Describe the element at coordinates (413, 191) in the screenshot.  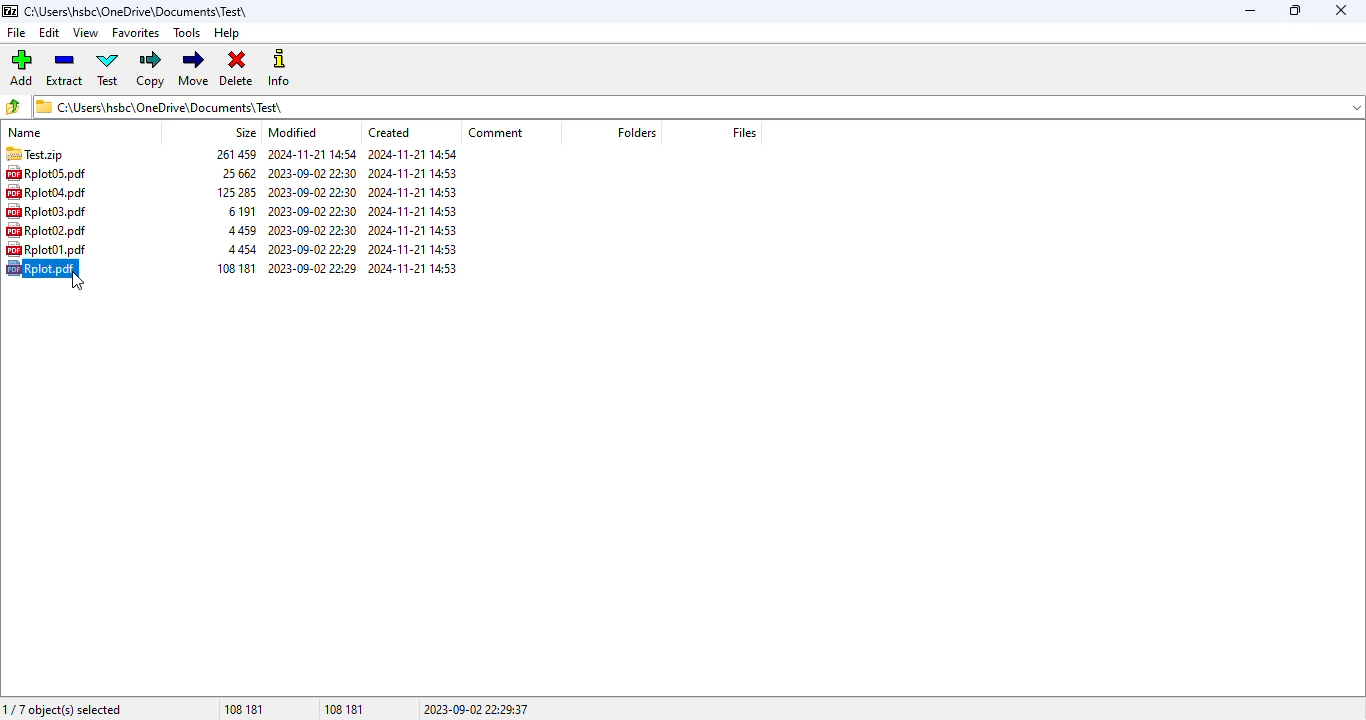
I see ` 2024-11-21 14:53` at that location.